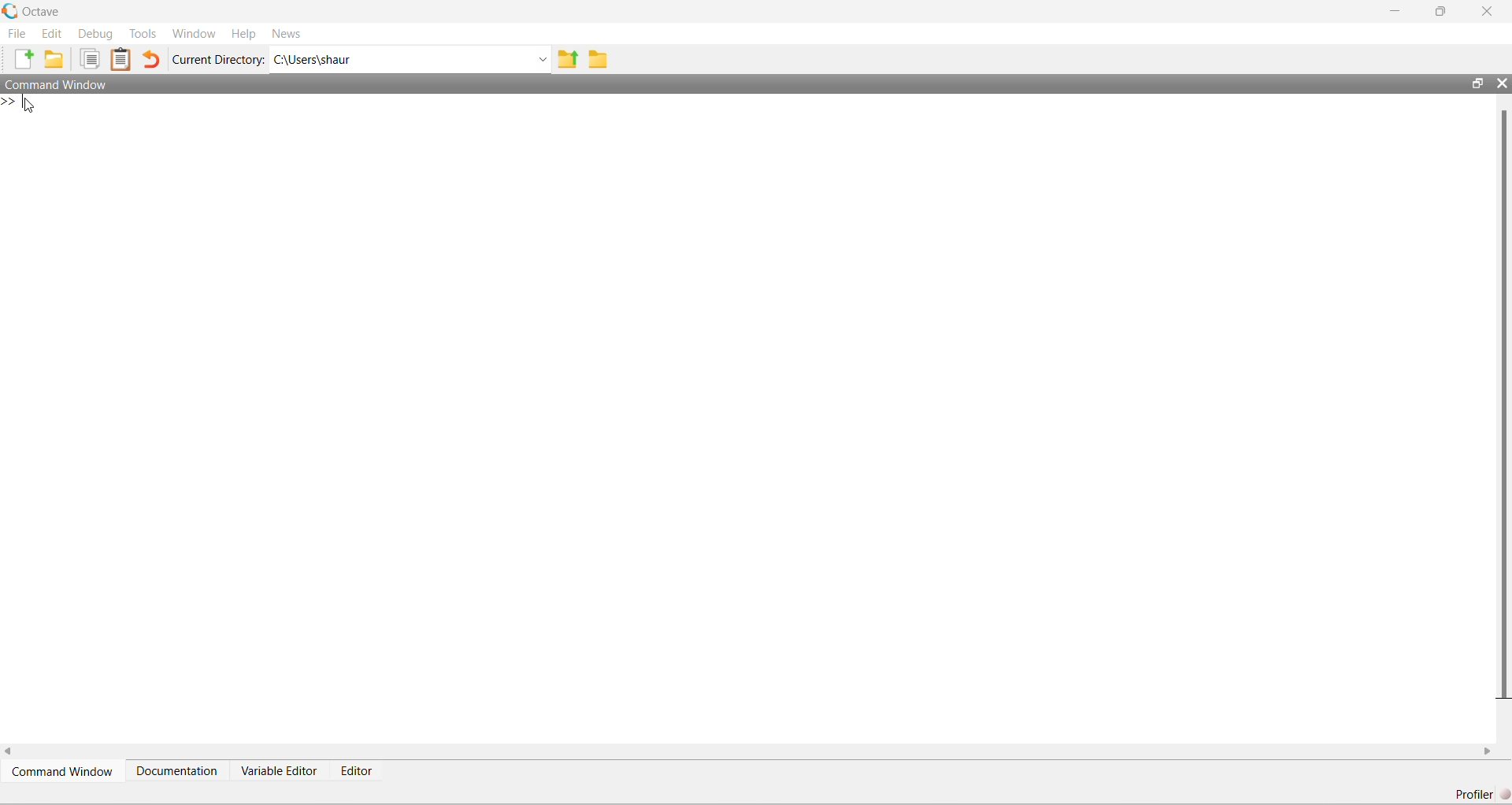 Image resolution: width=1512 pixels, height=805 pixels. What do you see at coordinates (1488, 10) in the screenshot?
I see `close` at bounding box center [1488, 10].